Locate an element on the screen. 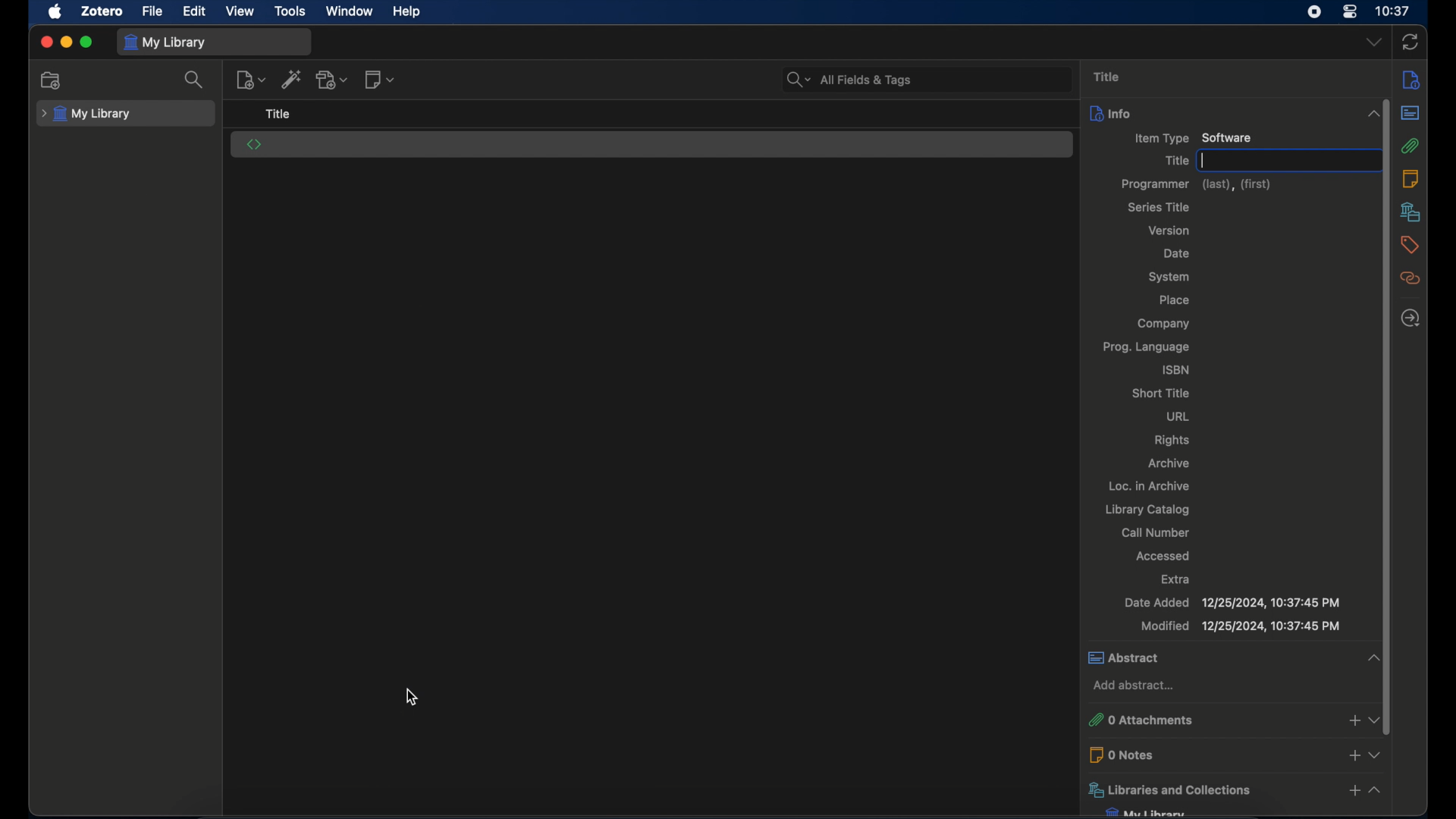 Image resolution: width=1456 pixels, height=819 pixels. prog. language is located at coordinates (1147, 347).